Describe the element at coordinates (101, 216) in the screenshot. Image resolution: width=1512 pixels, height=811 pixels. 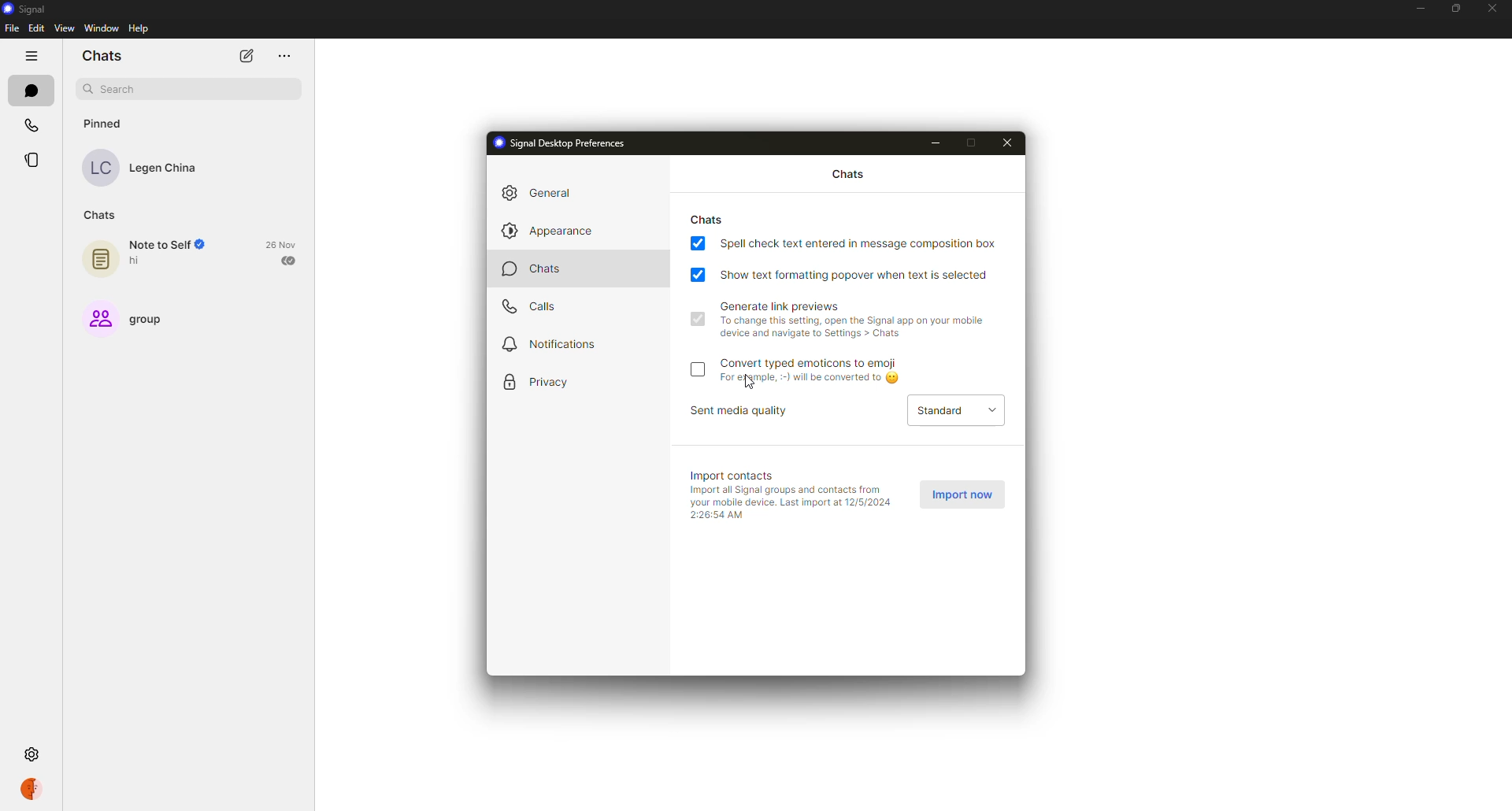
I see `chats` at that location.